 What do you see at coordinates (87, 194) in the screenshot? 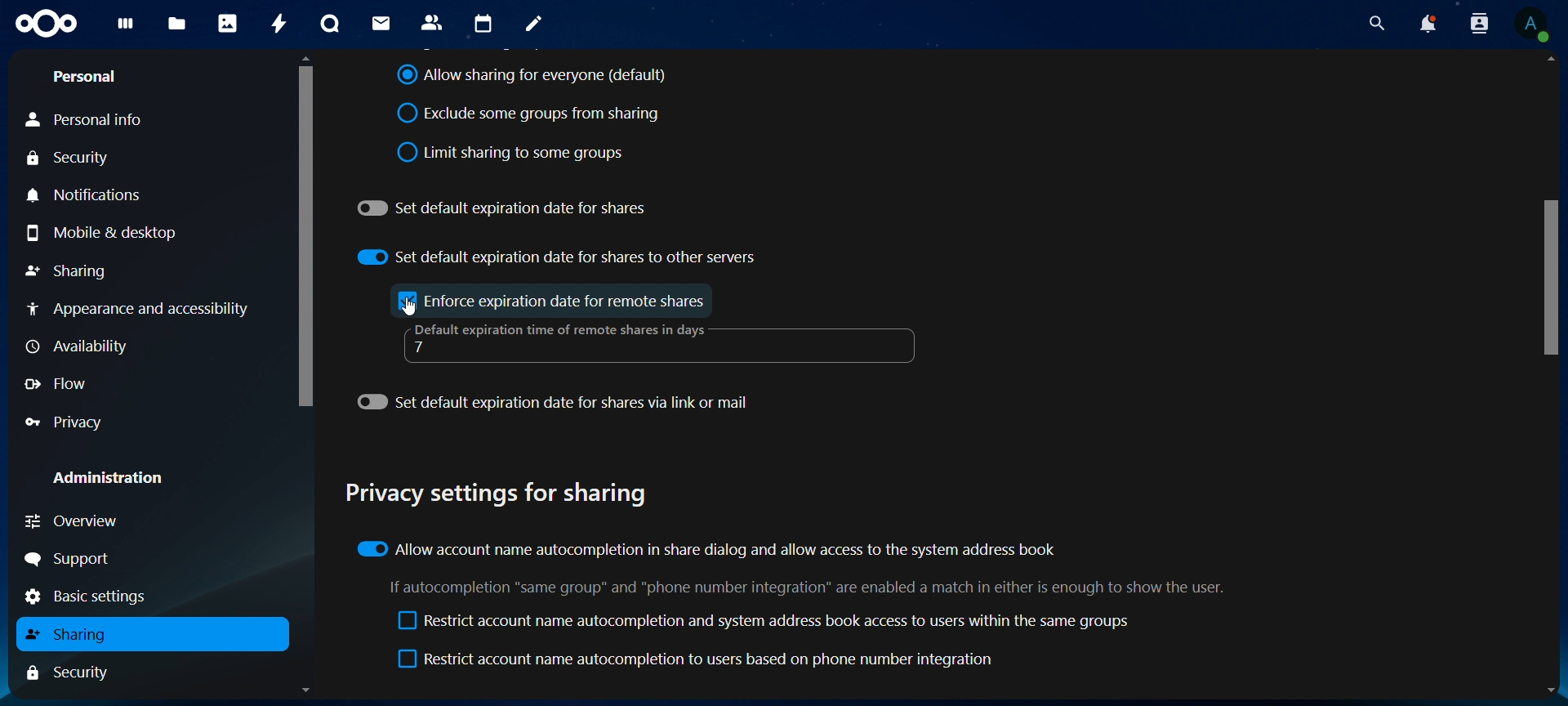
I see `notiifications` at bounding box center [87, 194].